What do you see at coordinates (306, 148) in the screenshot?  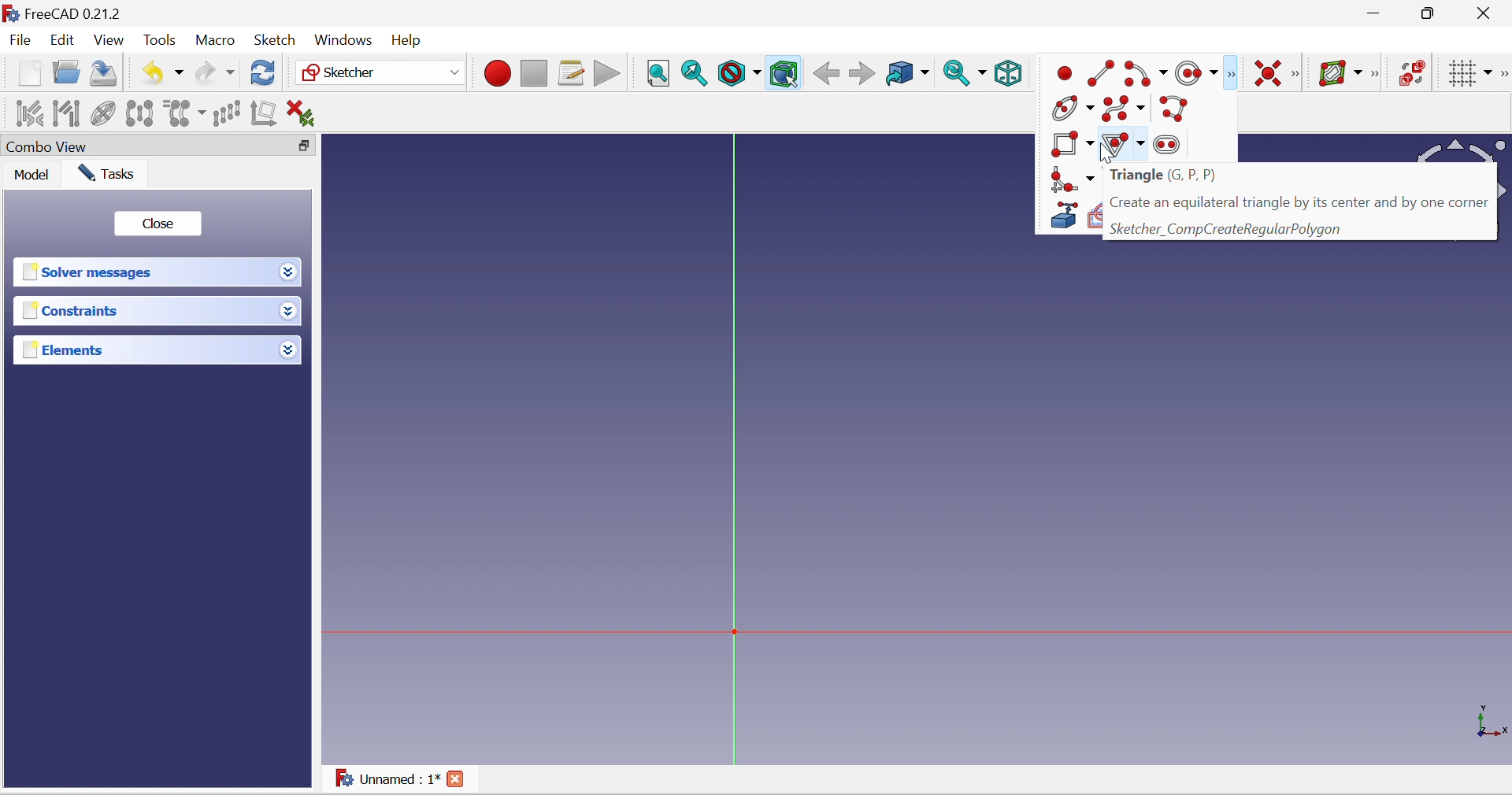 I see `Restore down` at bounding box center [306, 148].